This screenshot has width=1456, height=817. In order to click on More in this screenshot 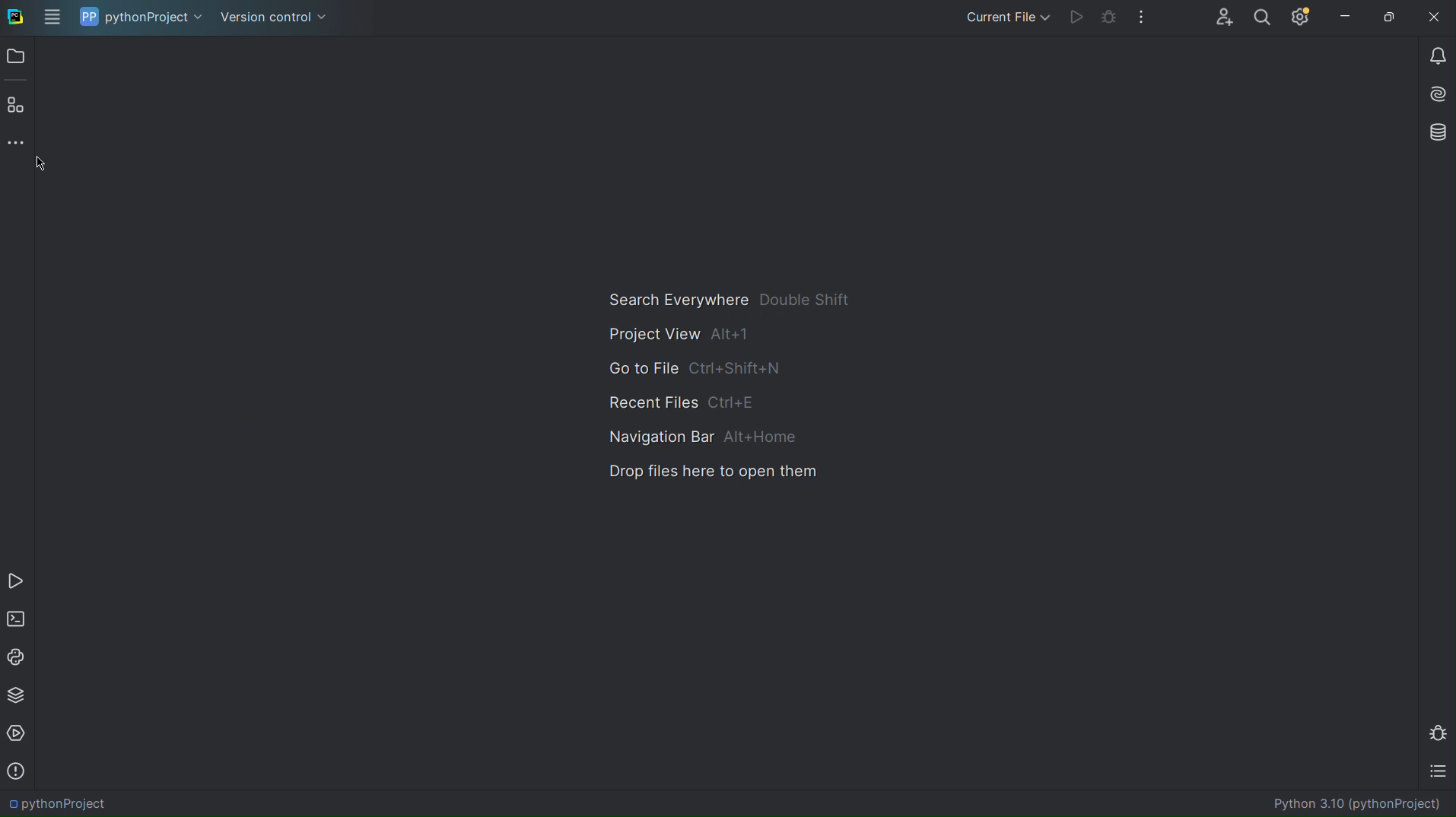, I will do `click(1144, 19)`.